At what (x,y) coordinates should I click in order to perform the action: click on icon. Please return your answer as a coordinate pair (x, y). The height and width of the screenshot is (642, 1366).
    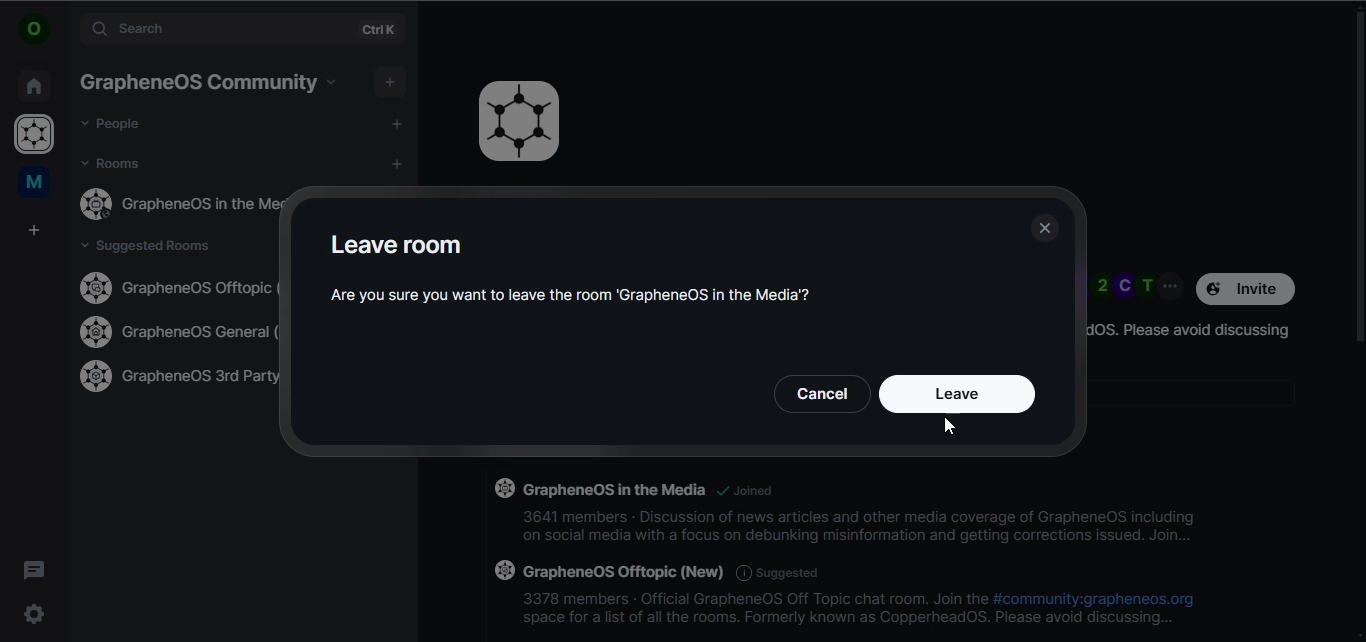
    Looking at the image, I should click on (520, 121).